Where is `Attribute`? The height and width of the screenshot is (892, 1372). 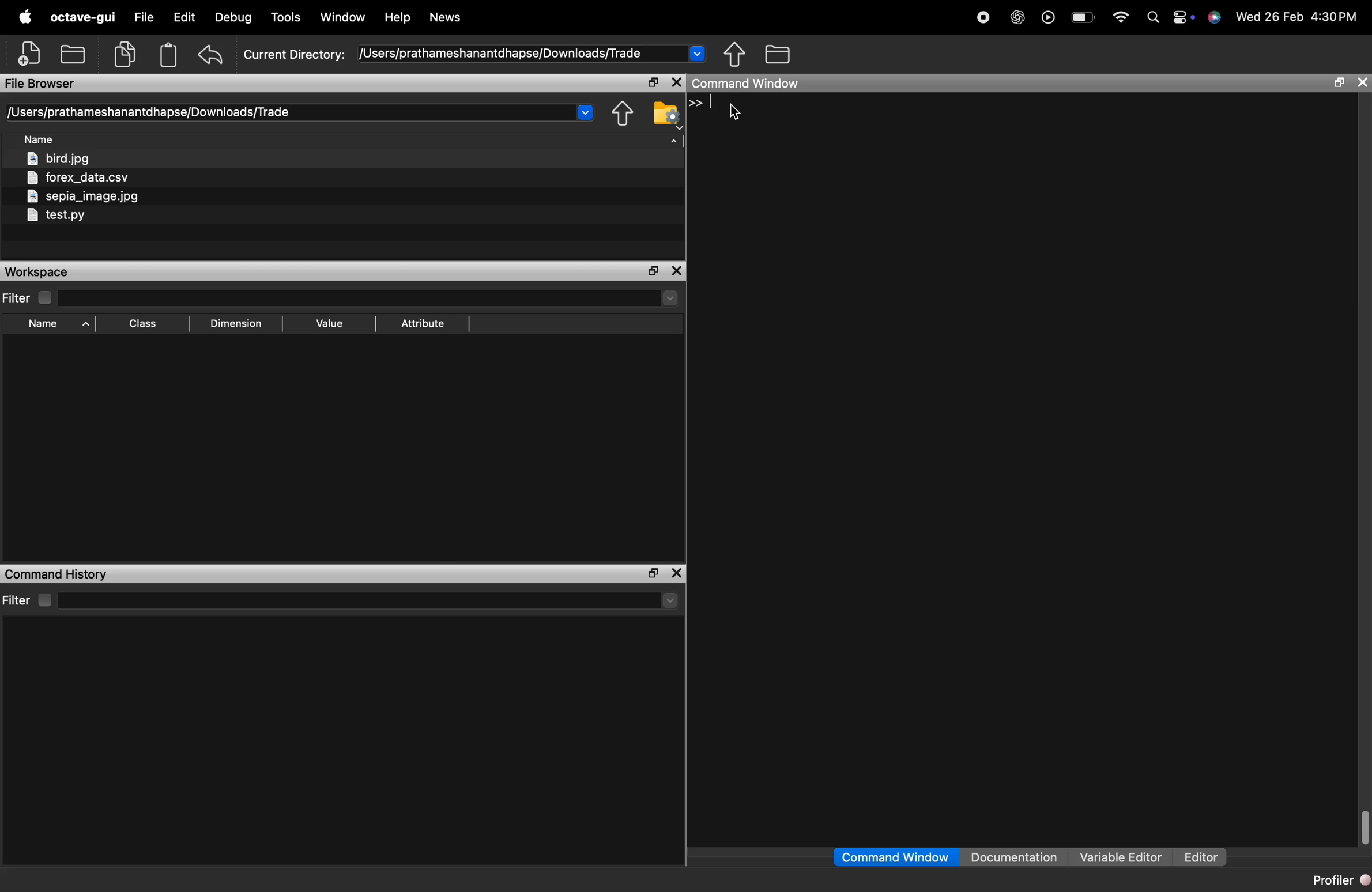 Attribute is located at coordinates (423, 324).